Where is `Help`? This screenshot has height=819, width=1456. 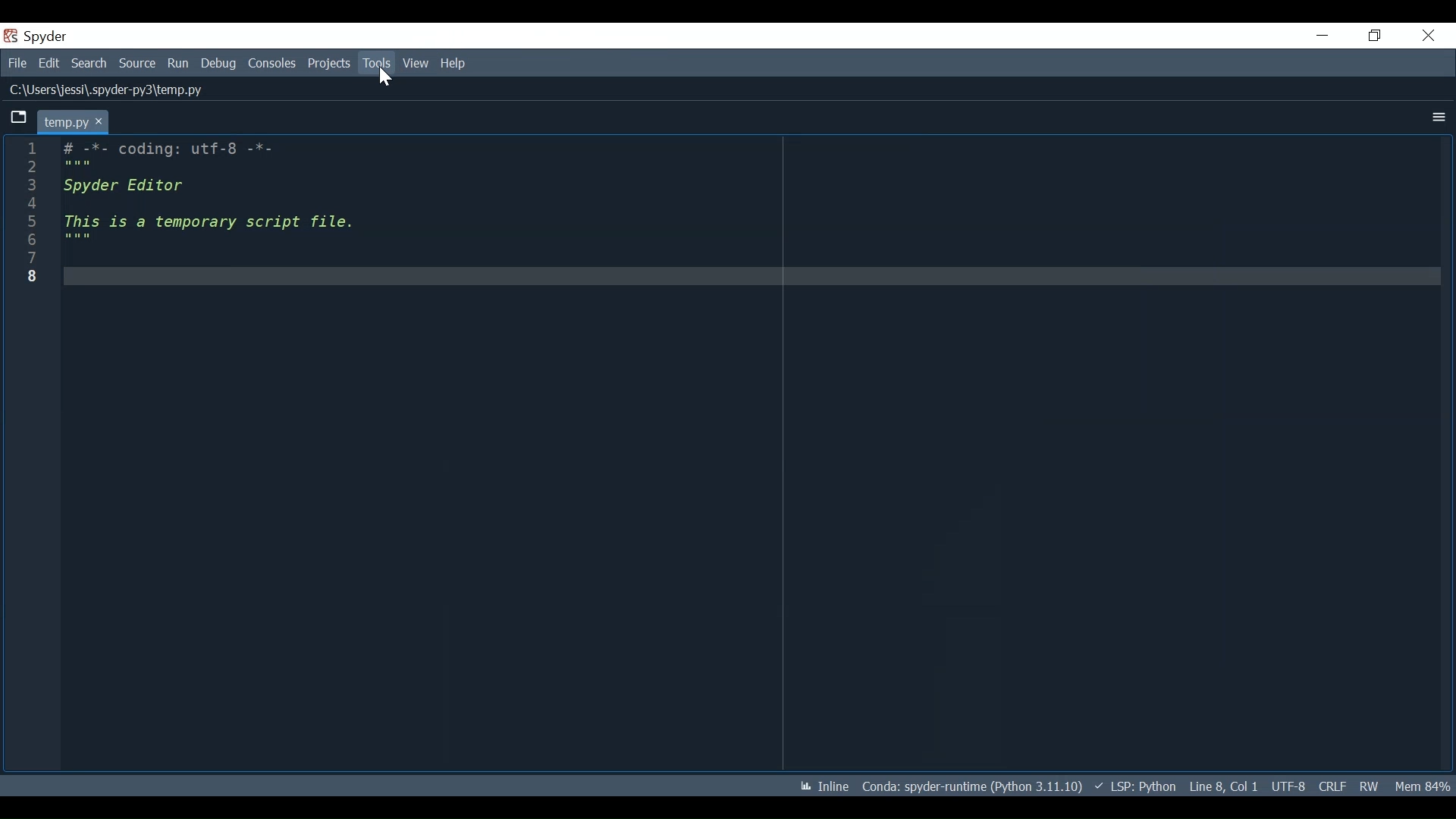
Help is located at coordinates (452, 64).